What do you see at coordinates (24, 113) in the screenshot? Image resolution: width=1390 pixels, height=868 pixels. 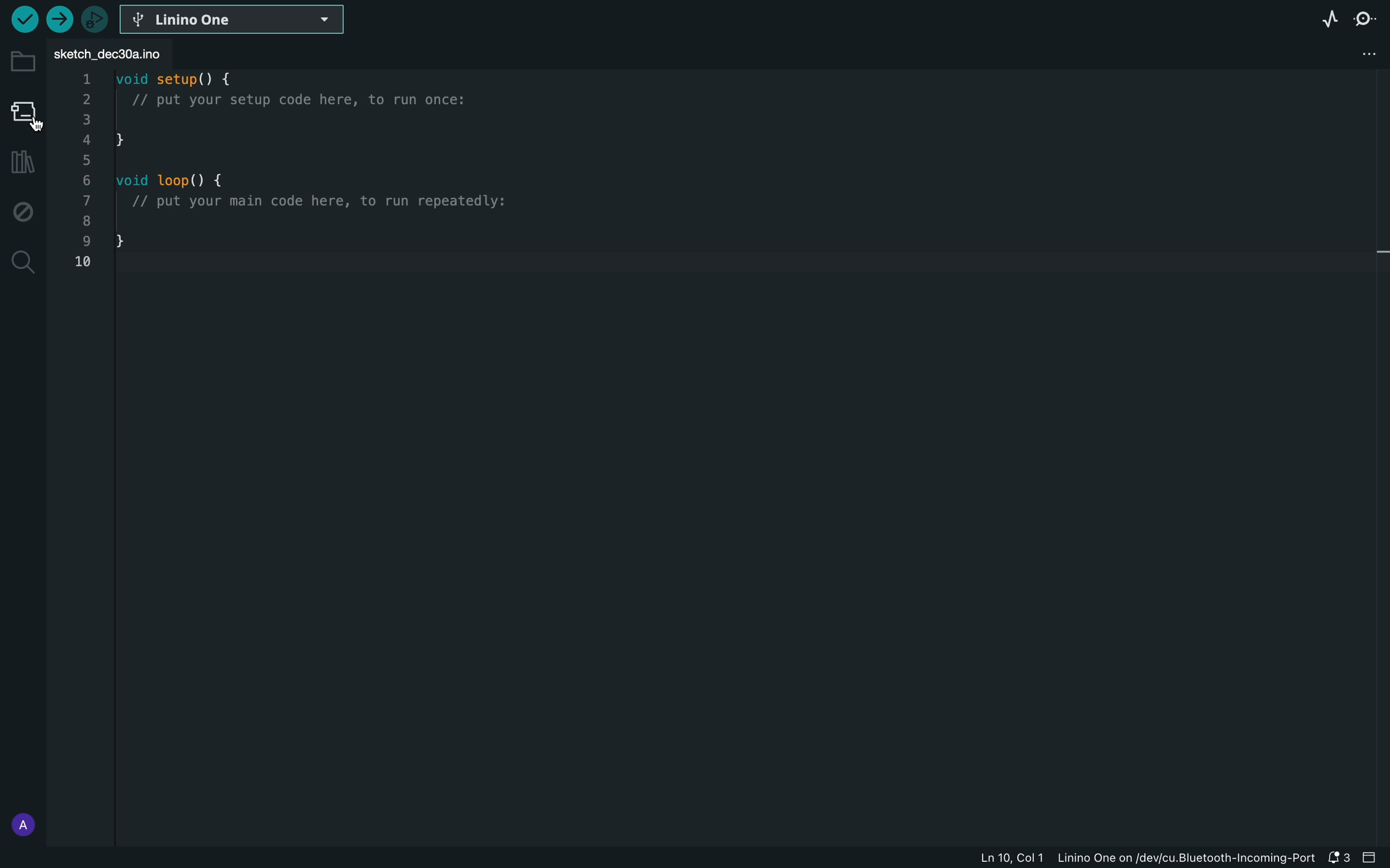 I see `board manager` at bounding box center [24, 113].